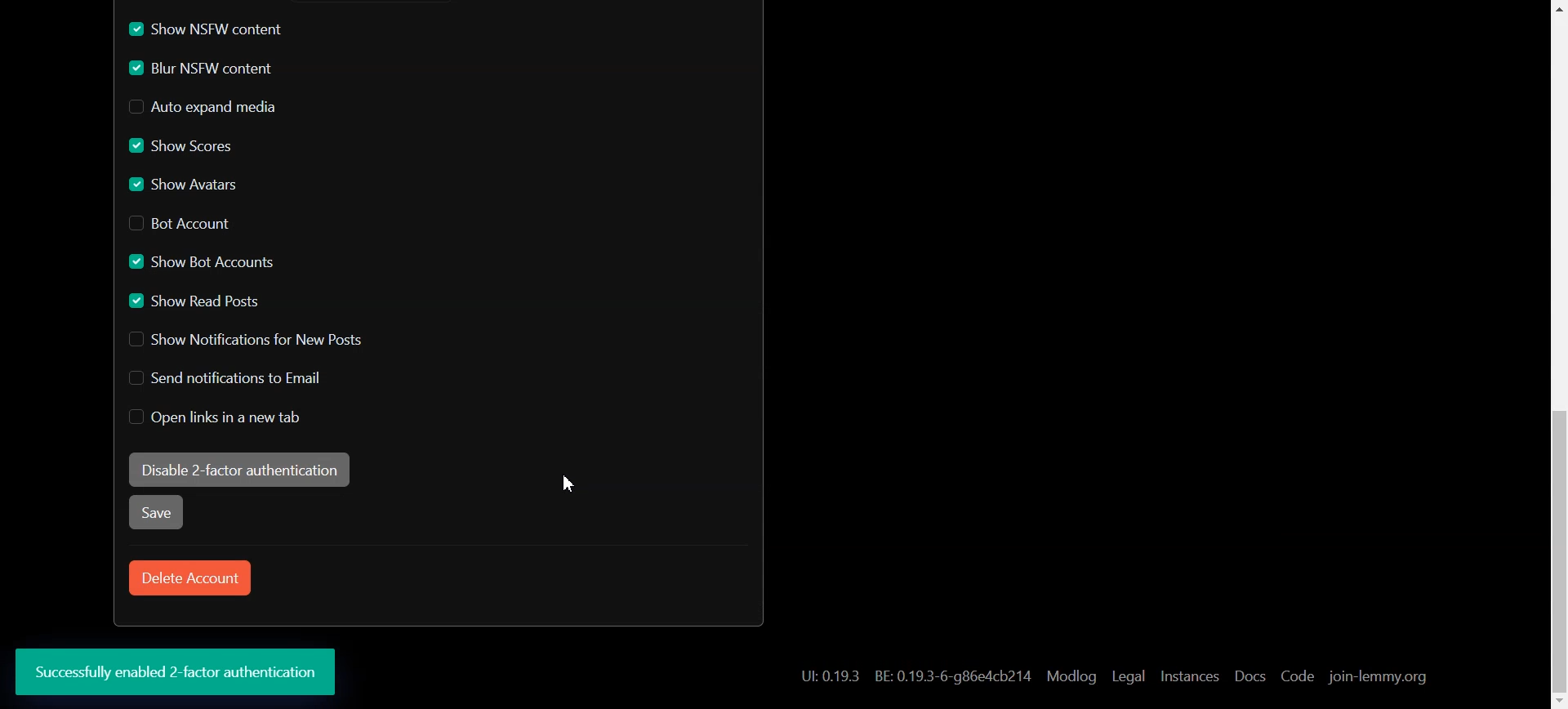  What do you see at coordinates (204, 259) in the screenshot?
I see `Enable Show Bot Account` at bounding box center [204, 259].